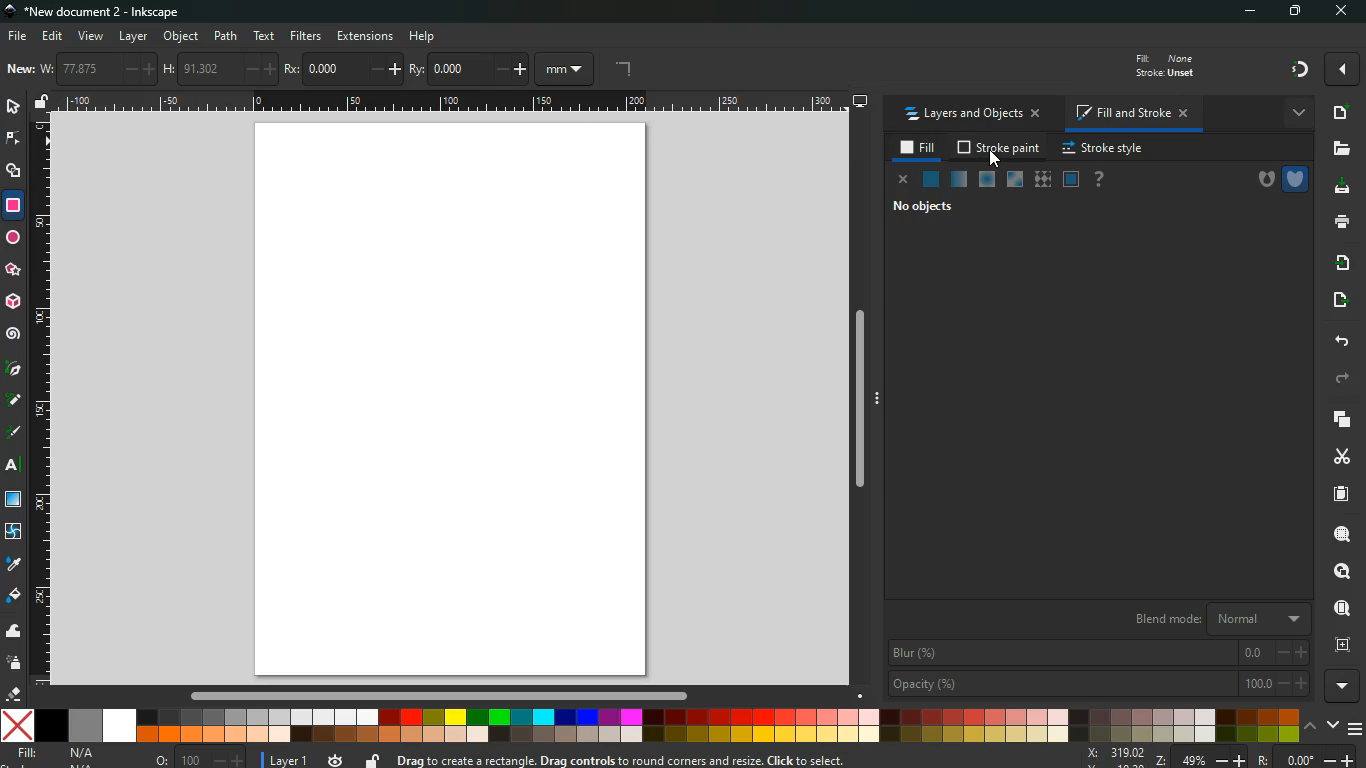 Image resolution: width=1366 pixels, height=768 pixels. I want to click on print, so click(1337, 223).